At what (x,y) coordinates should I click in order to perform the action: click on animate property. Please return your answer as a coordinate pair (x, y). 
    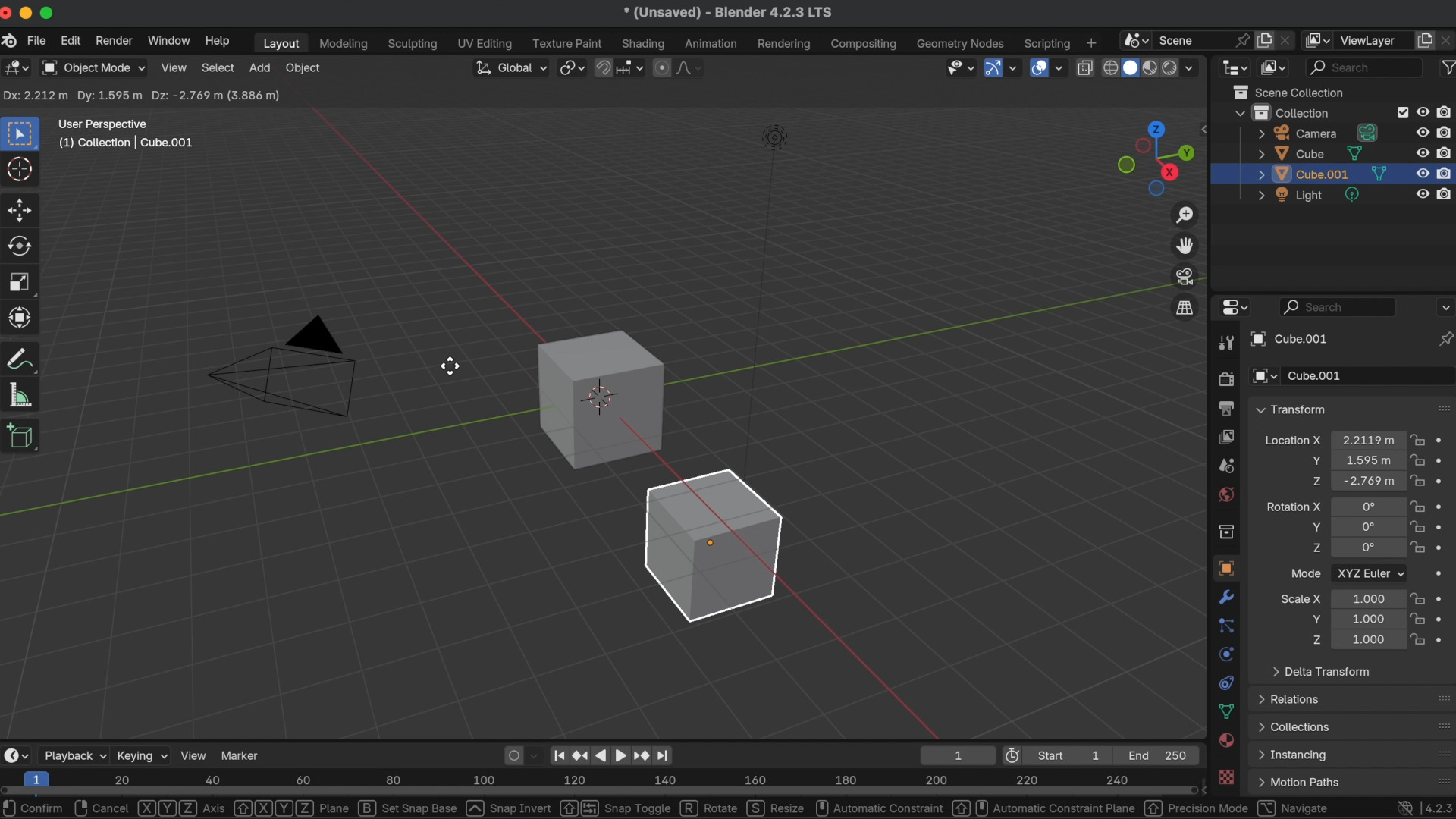
    Looking at the image, I should click on (1443, 441).